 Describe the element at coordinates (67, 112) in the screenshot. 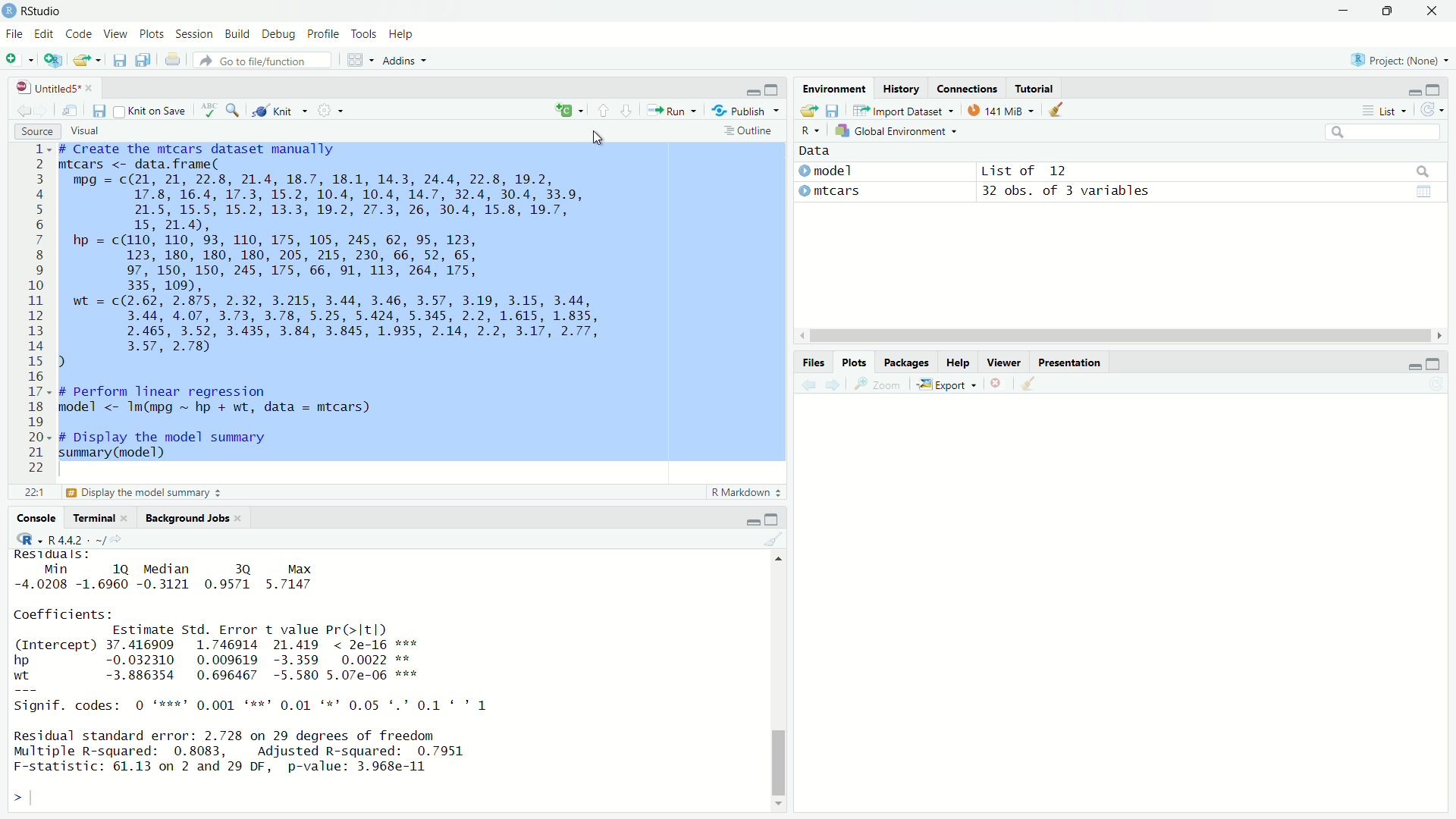

I see `show in new window` at that location.